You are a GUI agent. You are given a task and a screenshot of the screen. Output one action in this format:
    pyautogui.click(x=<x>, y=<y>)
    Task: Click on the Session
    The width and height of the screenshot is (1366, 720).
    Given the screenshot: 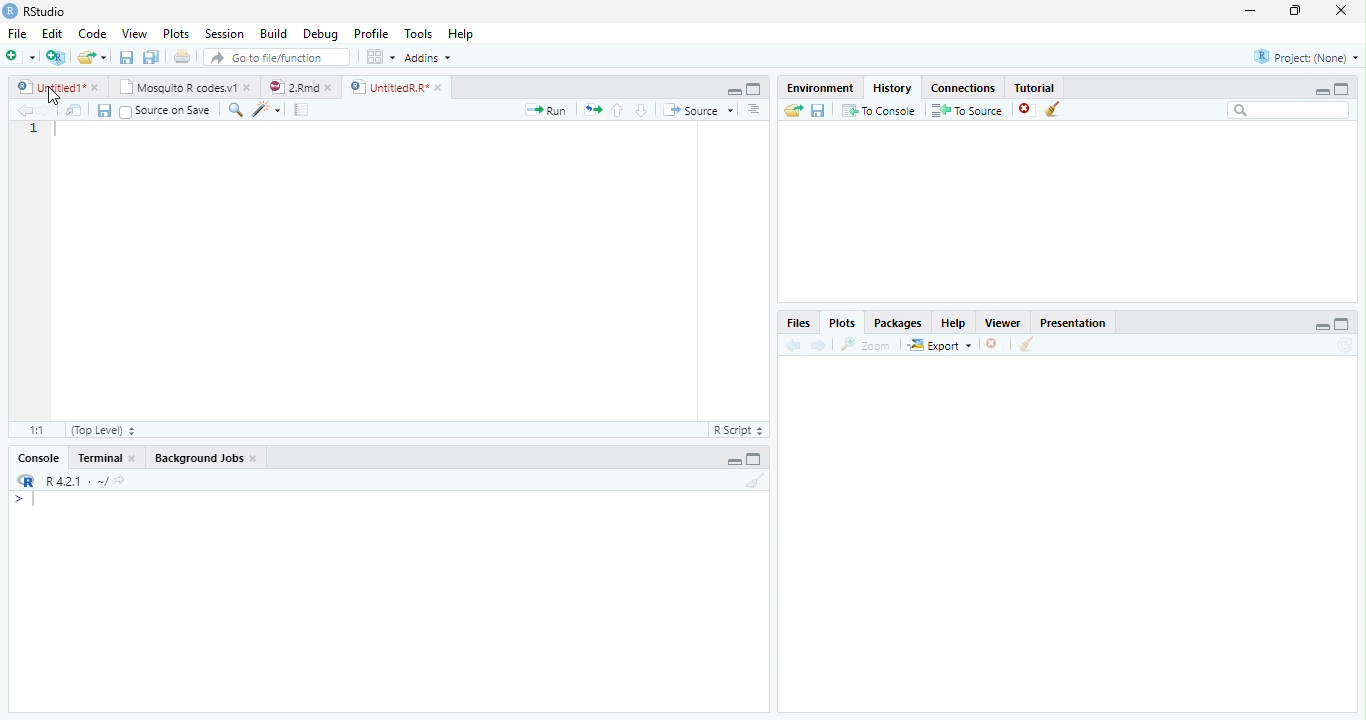 What is the action you would take?
    pyautogui.click(x=226, y=33)
    